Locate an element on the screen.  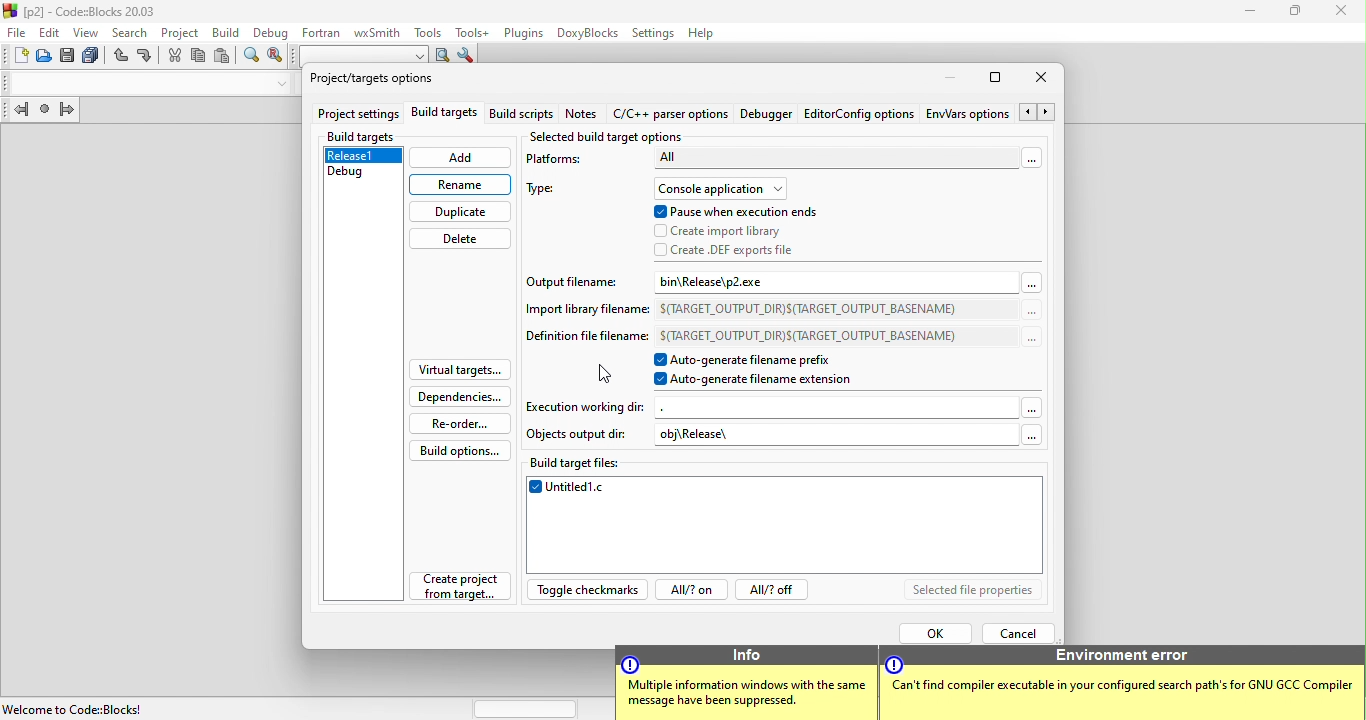
 is located at coordinates (1126, 656).